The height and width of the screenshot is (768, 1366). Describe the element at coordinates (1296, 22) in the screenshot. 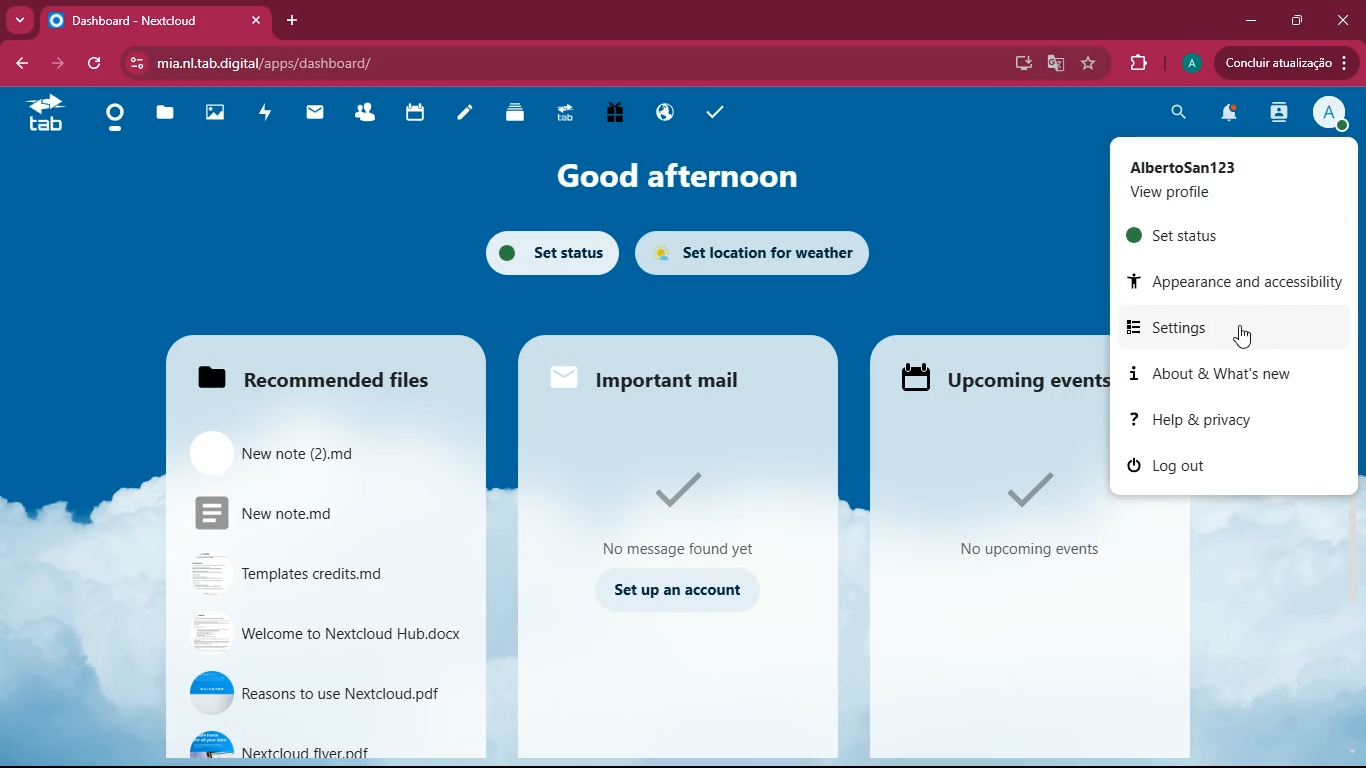

I see `maximize` at that location.